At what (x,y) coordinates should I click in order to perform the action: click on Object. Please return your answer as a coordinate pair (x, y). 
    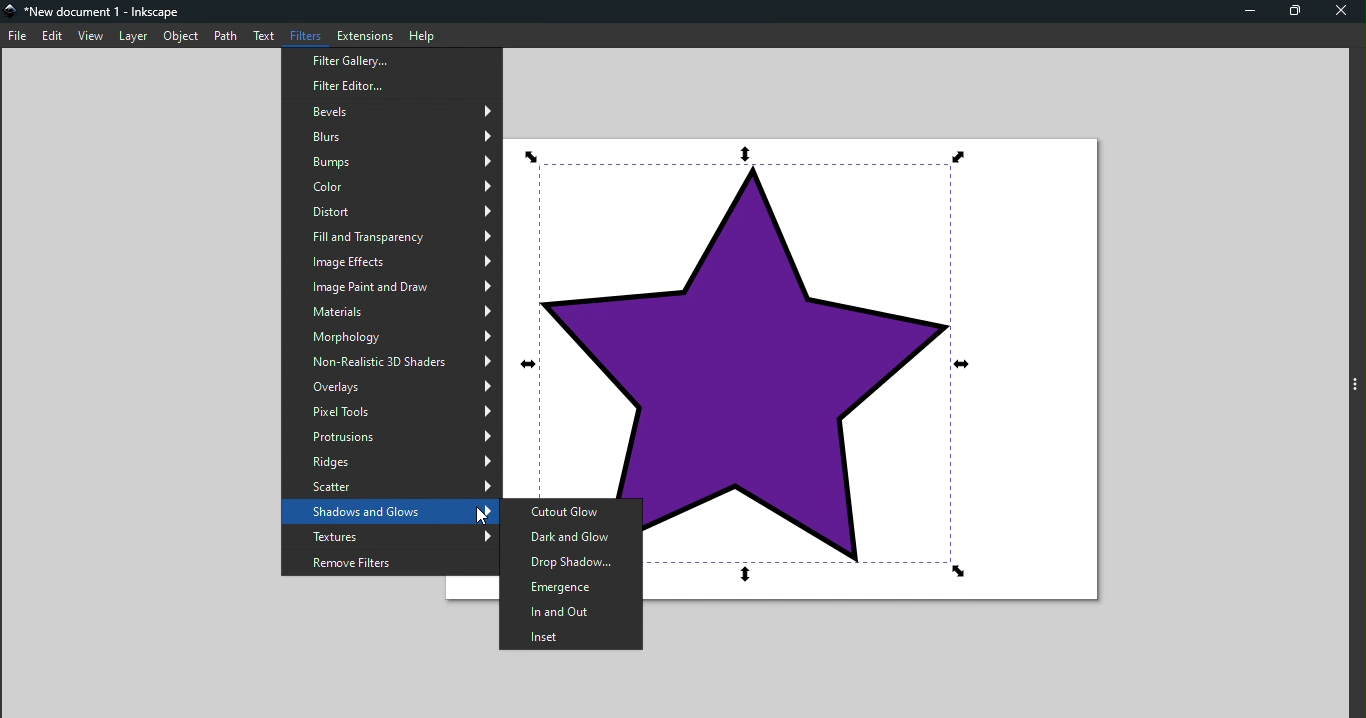
    Looking at the image, I should click on (181, 36).